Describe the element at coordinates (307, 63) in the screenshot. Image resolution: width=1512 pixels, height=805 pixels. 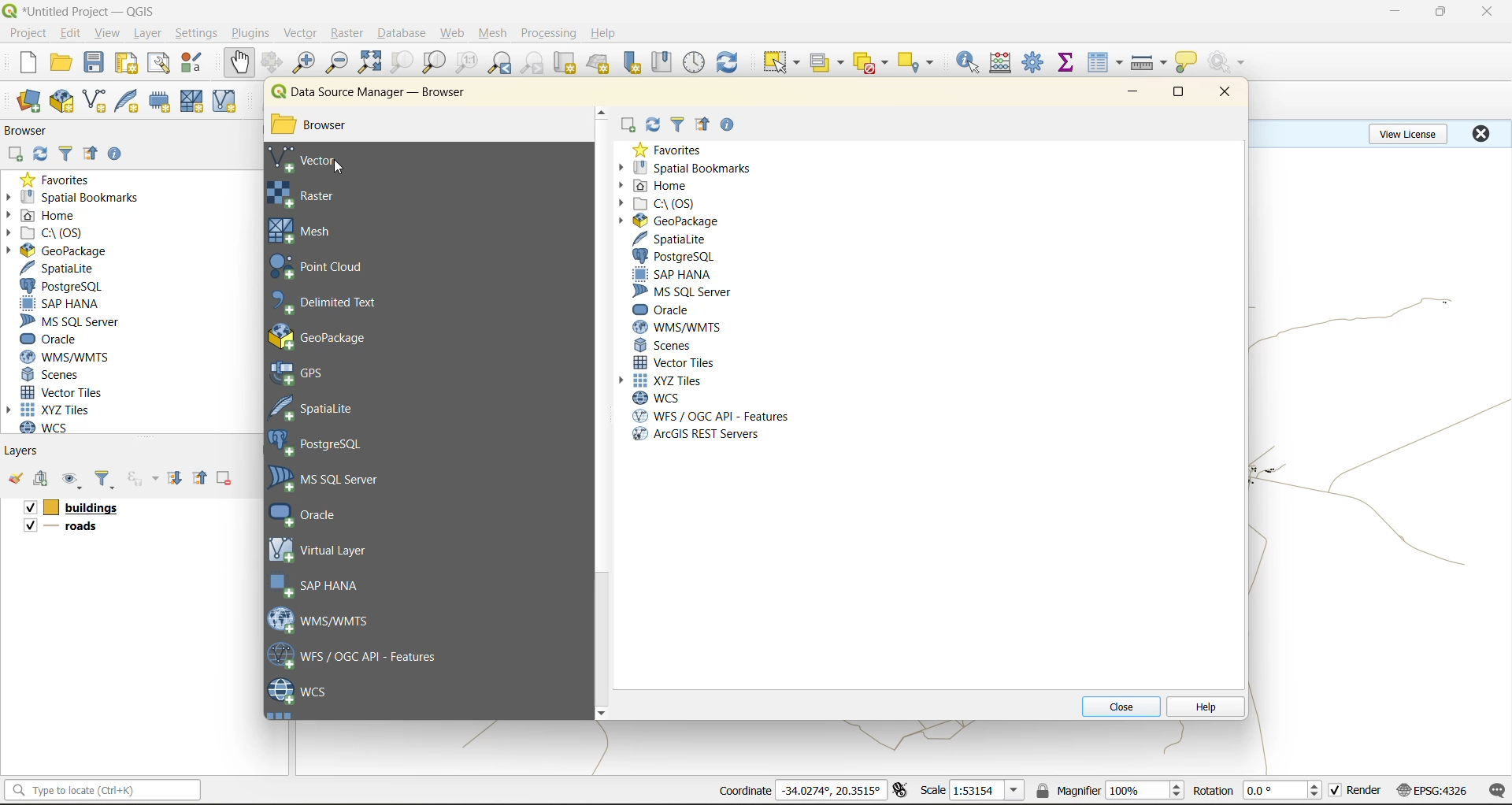
I see `zoom in` at that location.